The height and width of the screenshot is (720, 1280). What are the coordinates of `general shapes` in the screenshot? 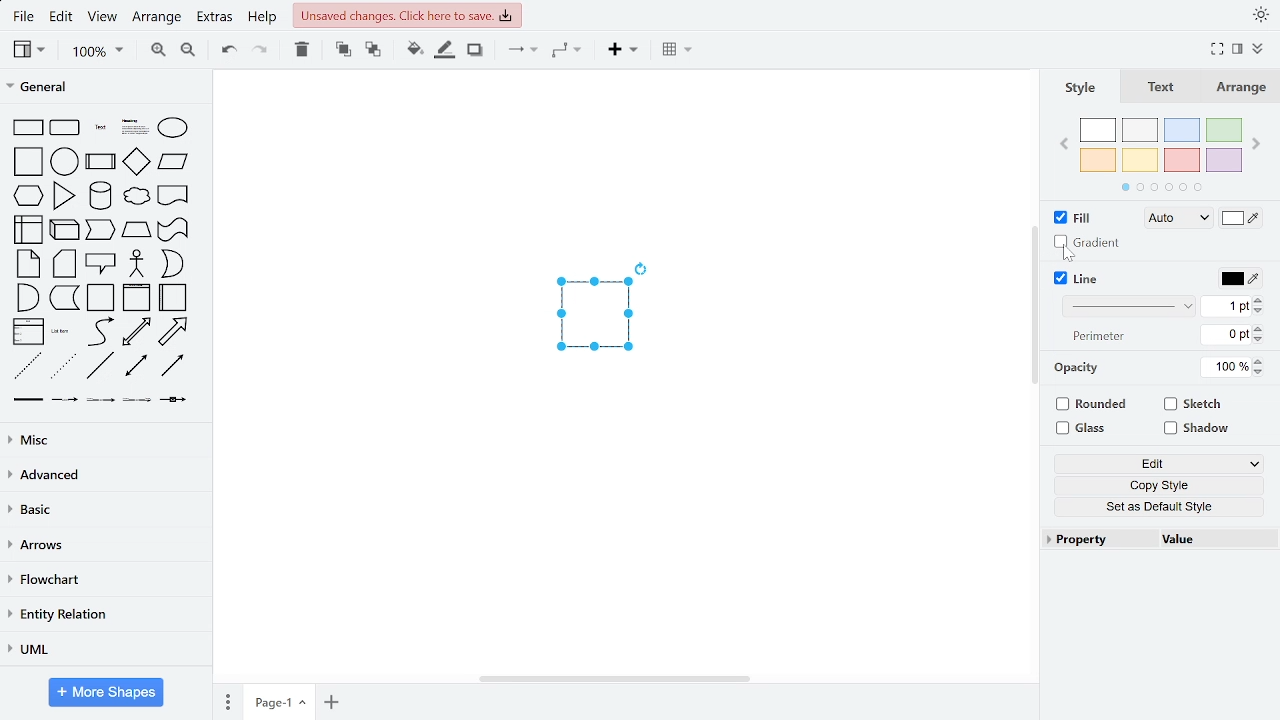 It's located at (134, 365).